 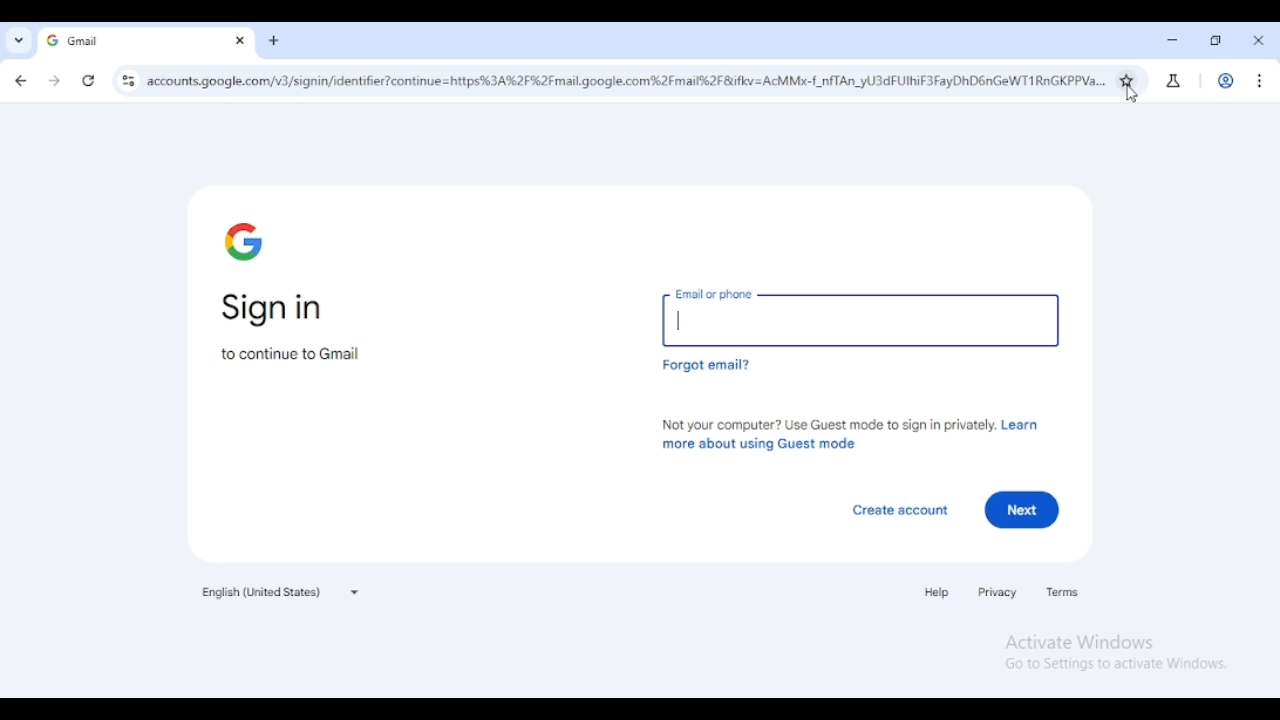 What do you see at coordinates (279, 591) in the screenshot?
I see `English (United States)` at bounding box center [279, 591].